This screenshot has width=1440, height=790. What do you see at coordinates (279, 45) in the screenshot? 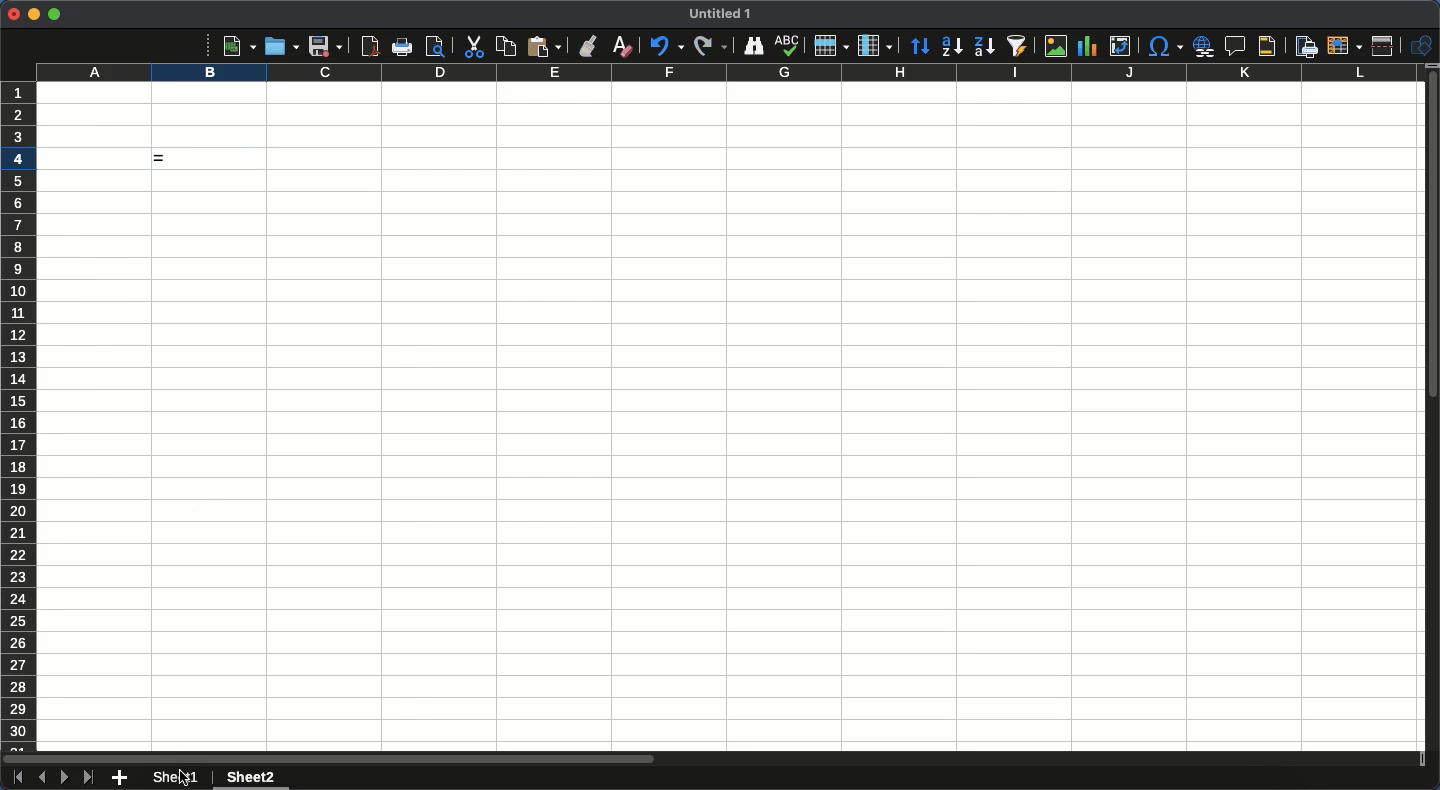
I see `Open` at bounding box center [279, 45].